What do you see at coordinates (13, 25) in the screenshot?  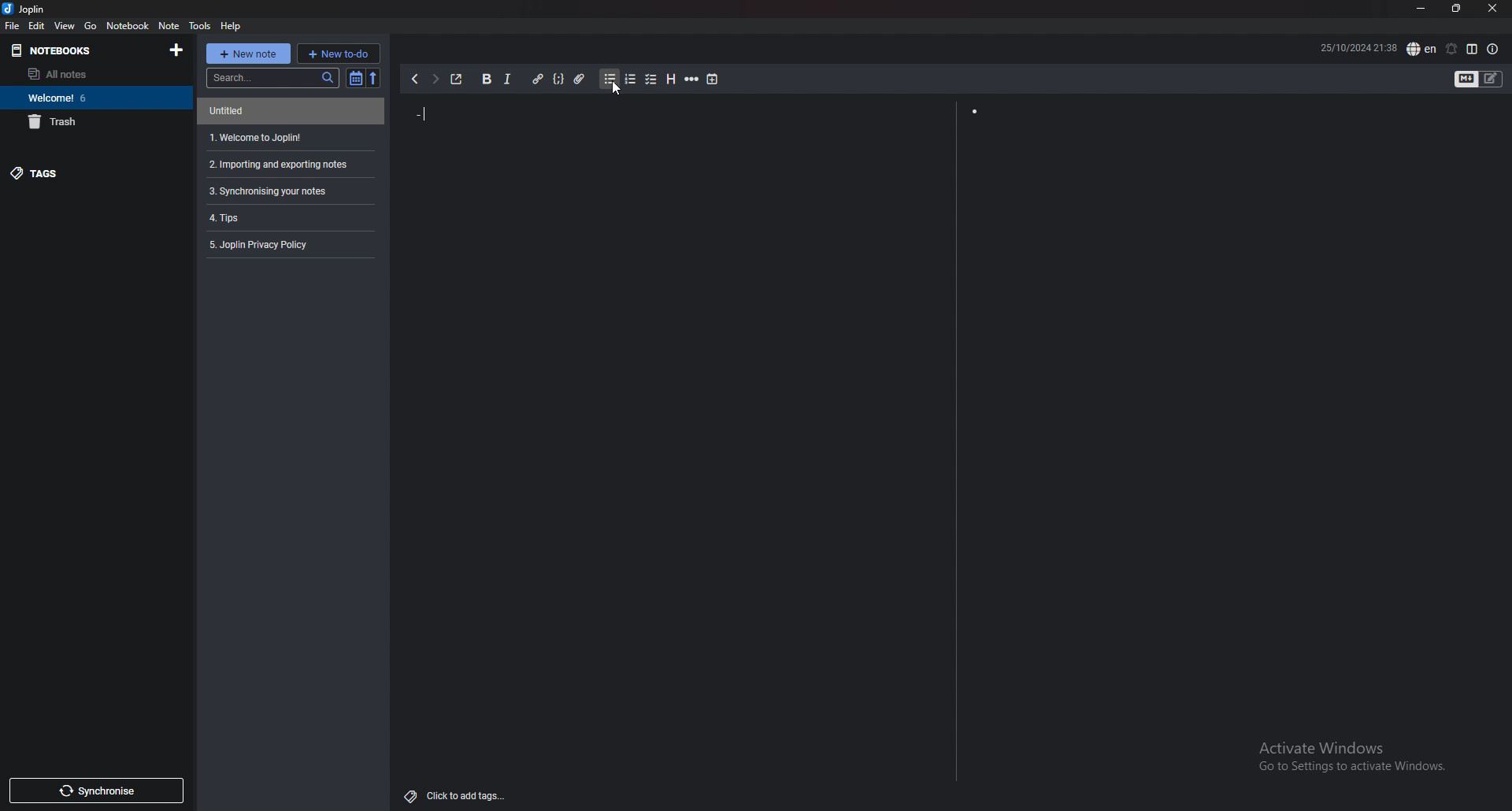 I see `File` at bounding box center [13, 25].